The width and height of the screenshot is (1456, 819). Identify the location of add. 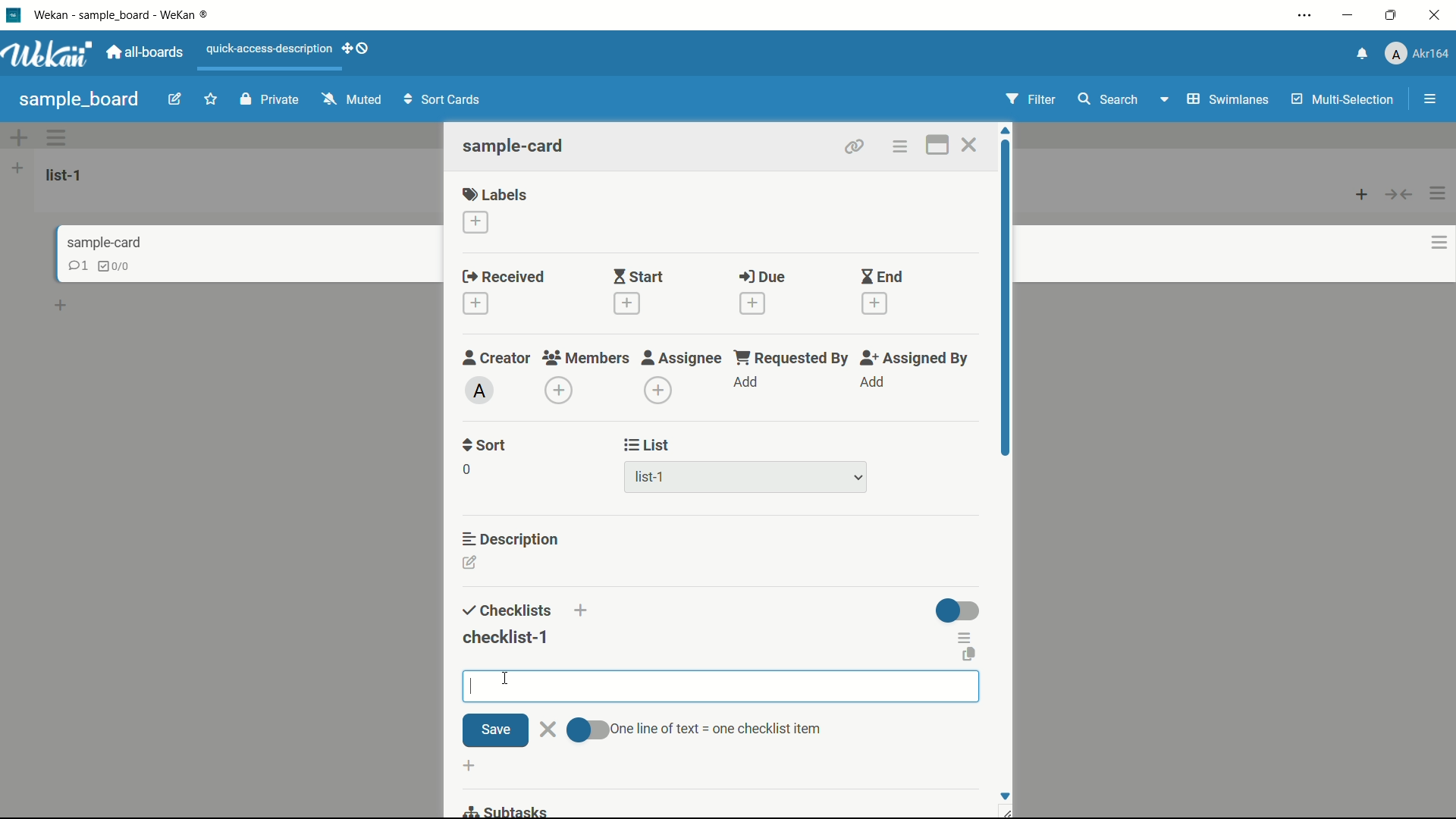
(582, 605).